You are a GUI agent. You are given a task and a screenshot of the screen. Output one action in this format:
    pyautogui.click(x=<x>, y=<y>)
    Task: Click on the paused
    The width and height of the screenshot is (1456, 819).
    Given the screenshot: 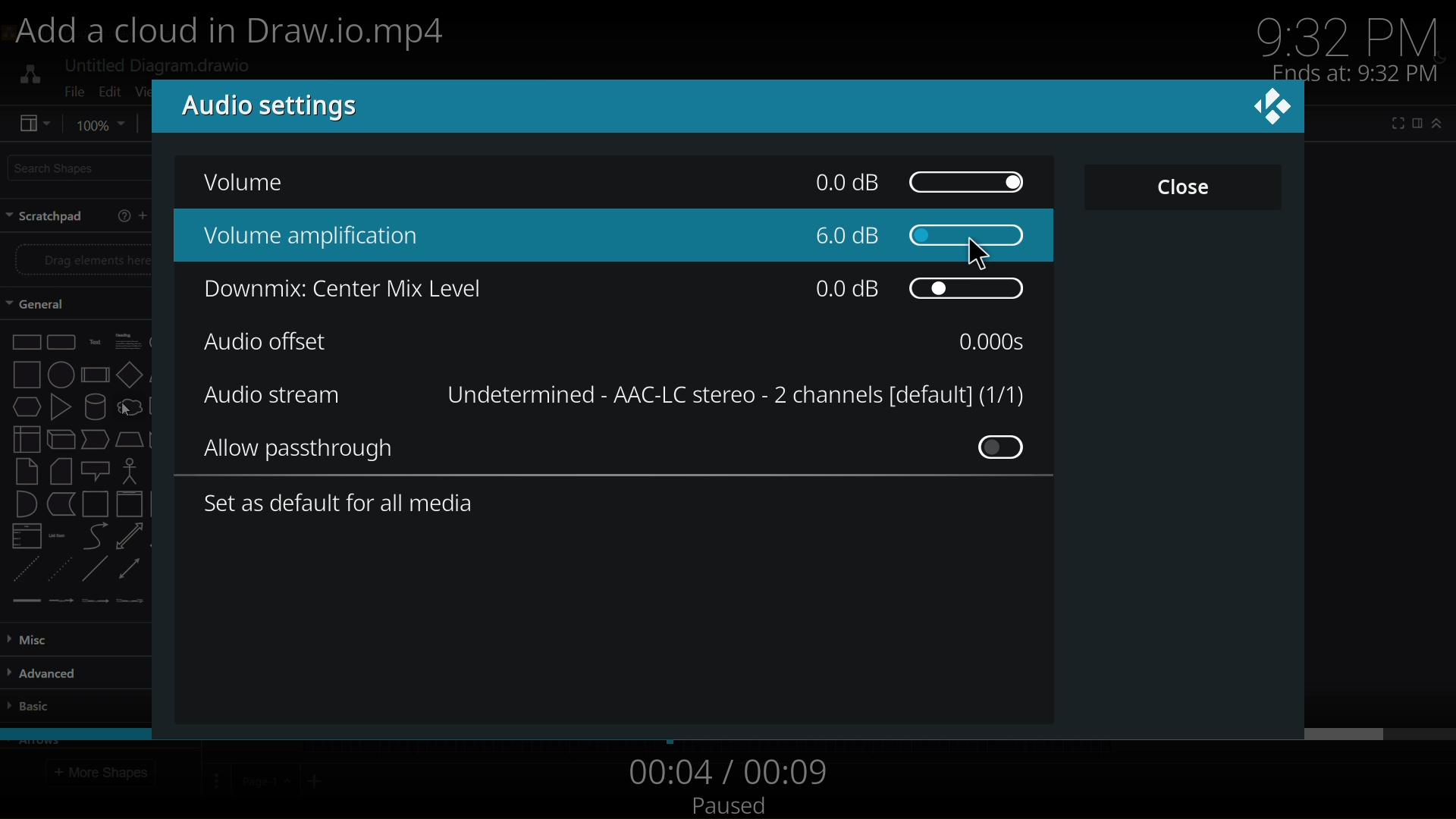 What is the action you would take?
    pyautogui.click(x=731, y=806)
    